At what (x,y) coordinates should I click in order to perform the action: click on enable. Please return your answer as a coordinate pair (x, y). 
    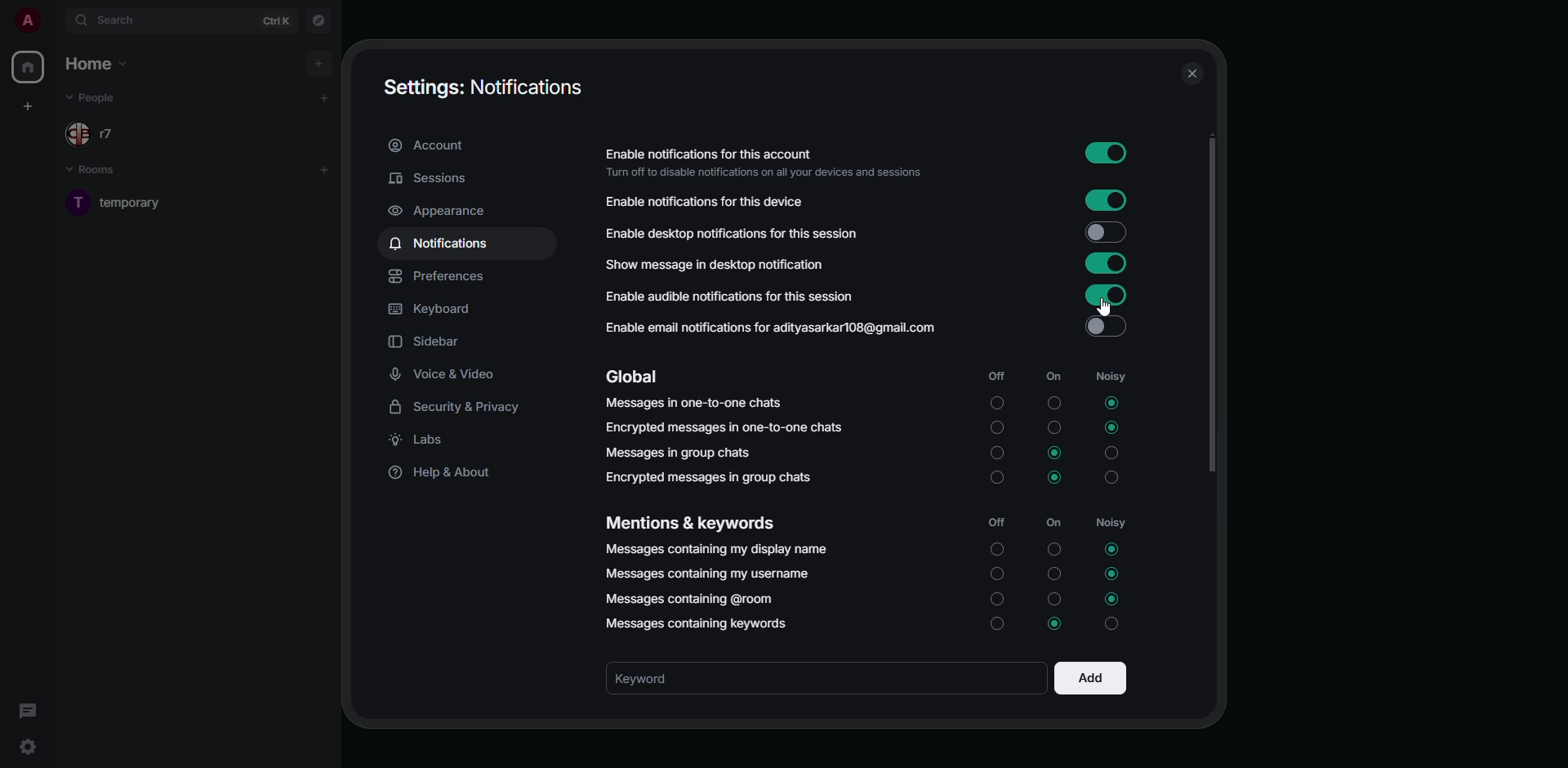
    Looking at the image, I should click on (1107, 293).